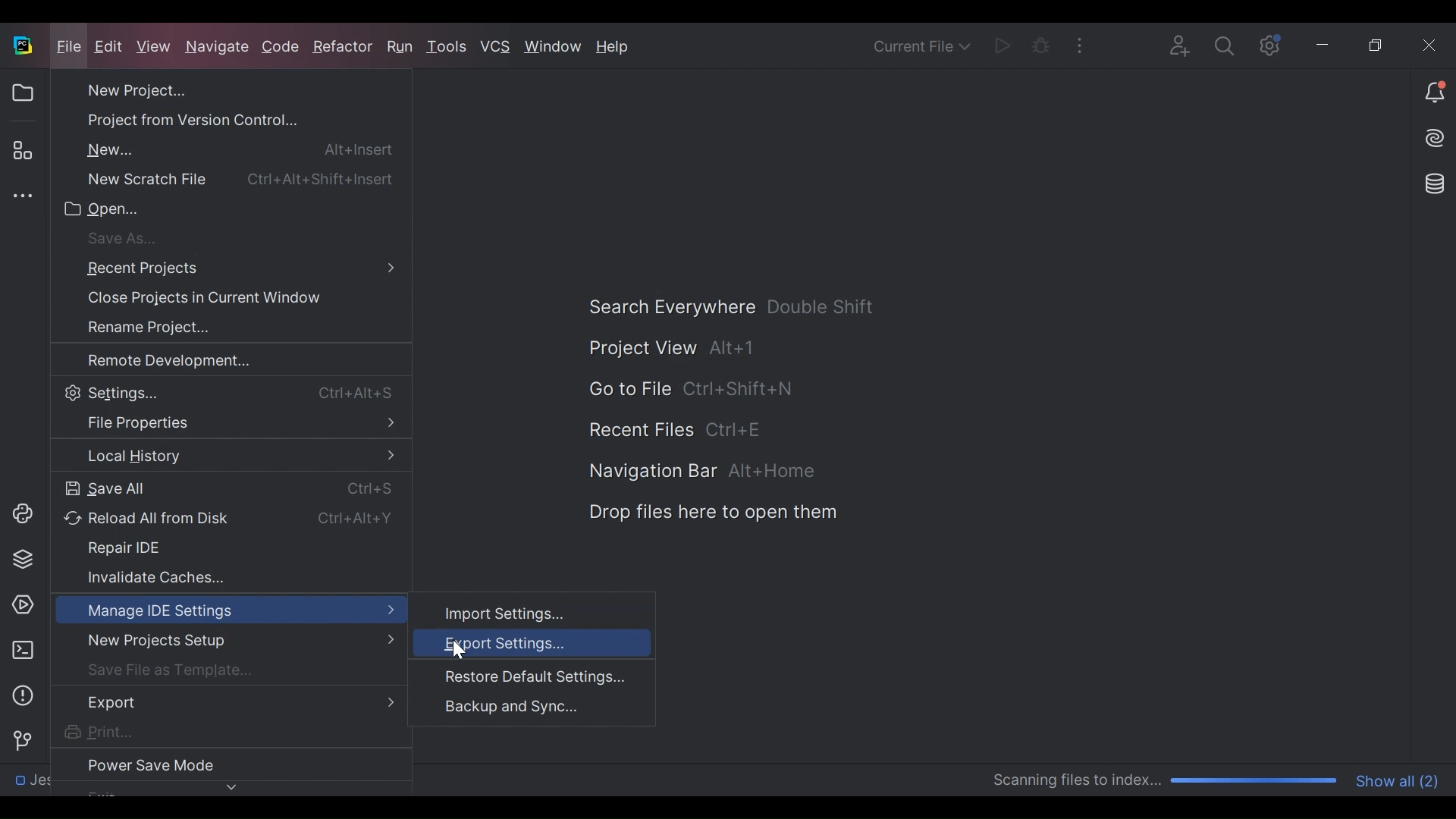  What do you see at coordinates (19, 650) in the screenshot?
I see `Terminal` at bounding box center [19, 650].